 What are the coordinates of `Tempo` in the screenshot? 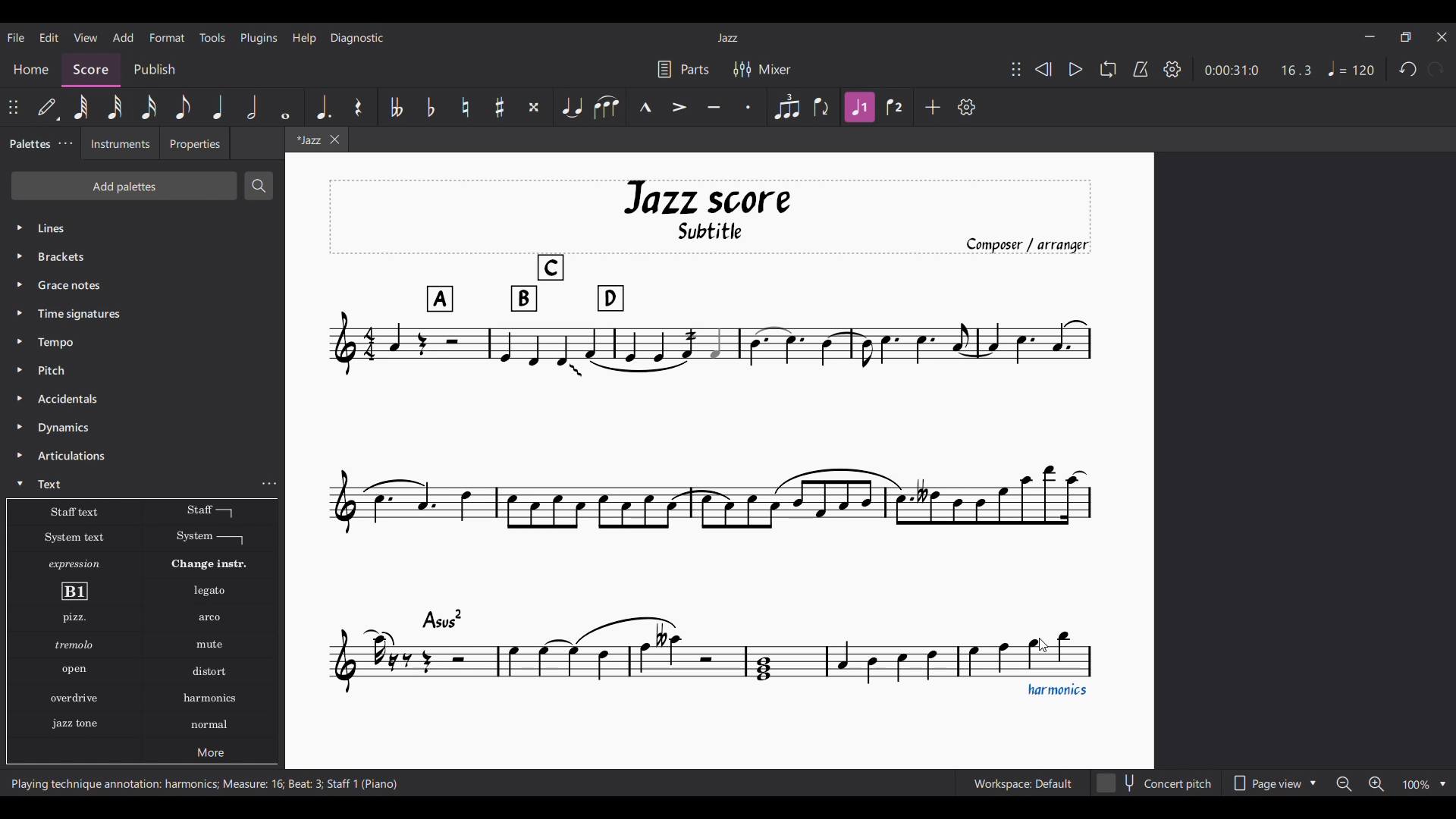 It's located at (1351, 68).